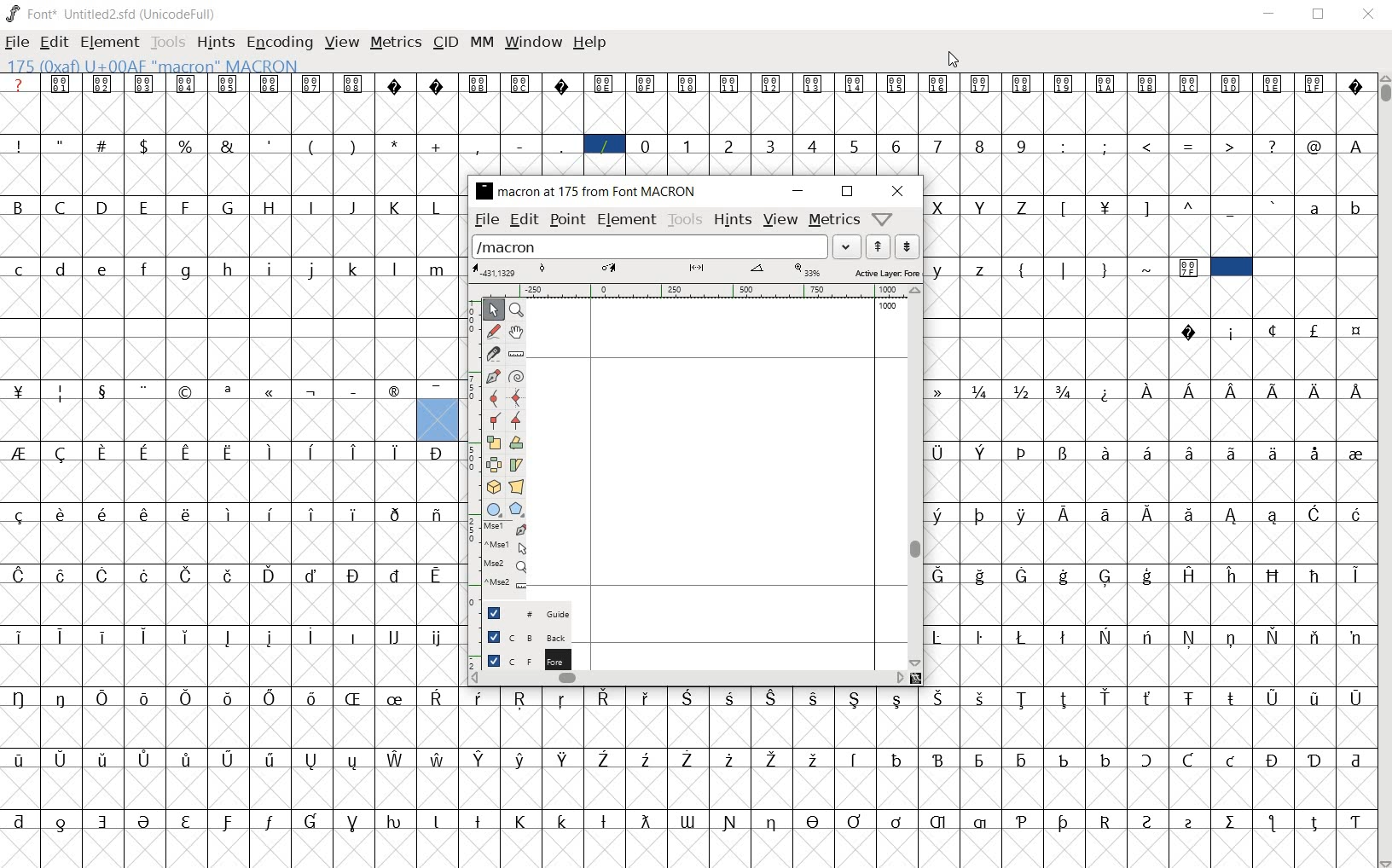 This screenshot has width=1392, height=868. What do you see at coordinates (1314, 822) in the screenshot?
I see `Symbol` at bounding box center [1314, 822].